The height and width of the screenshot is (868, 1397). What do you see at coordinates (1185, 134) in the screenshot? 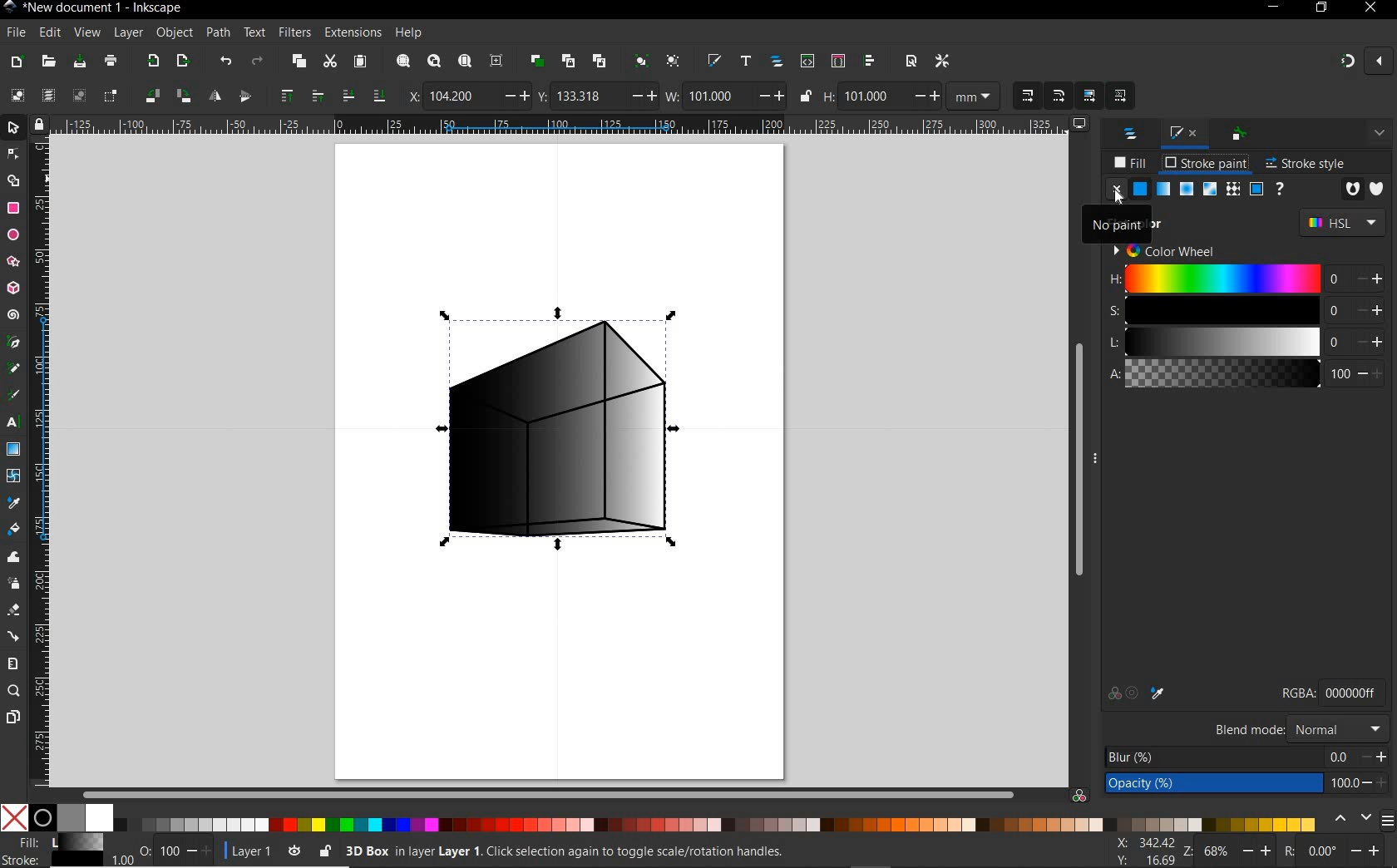
I see `FILL AND STROKE` at bounding box center [1185, 134].